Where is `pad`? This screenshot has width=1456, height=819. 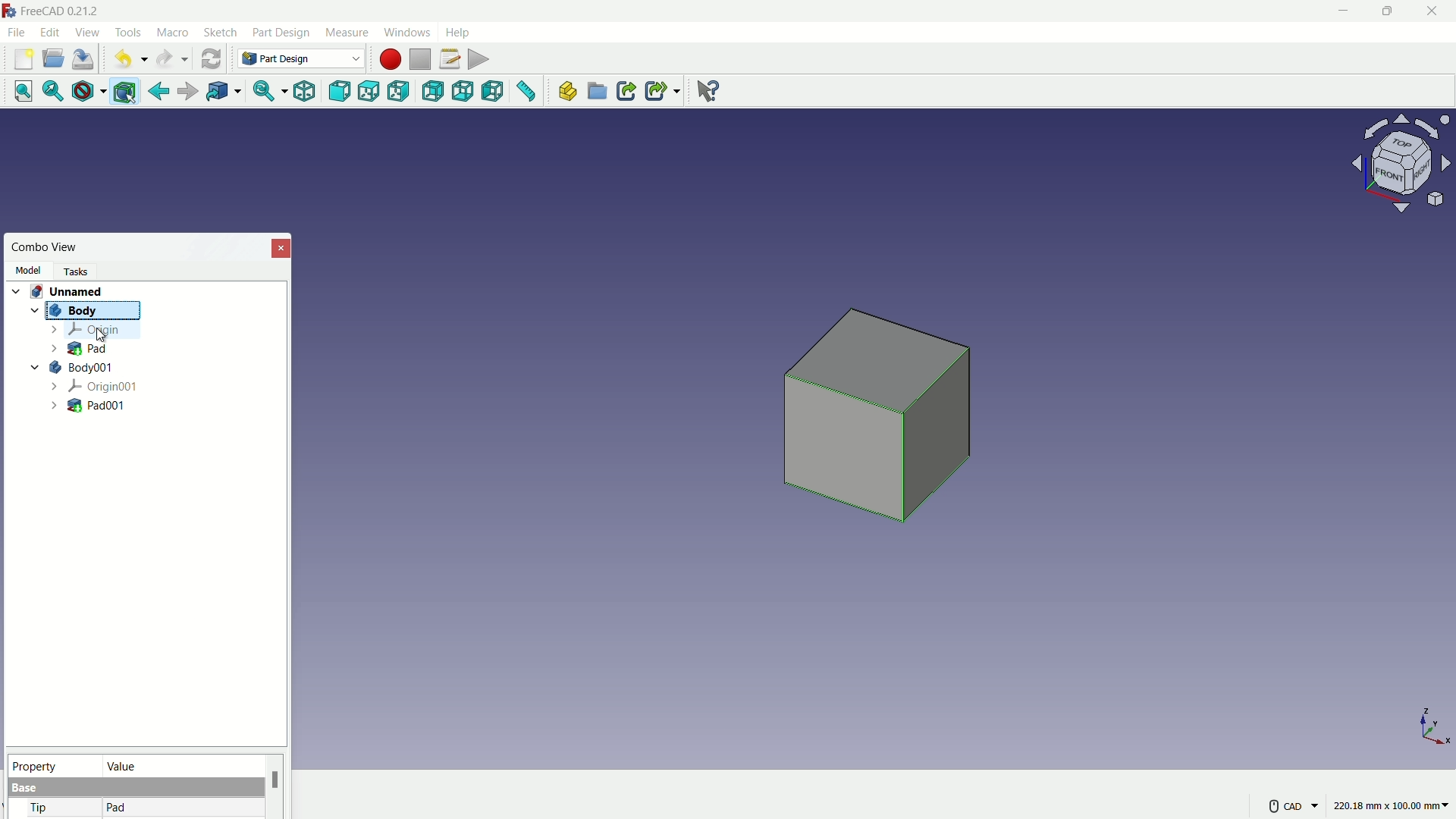
pad is located at coordinates (117, 808).